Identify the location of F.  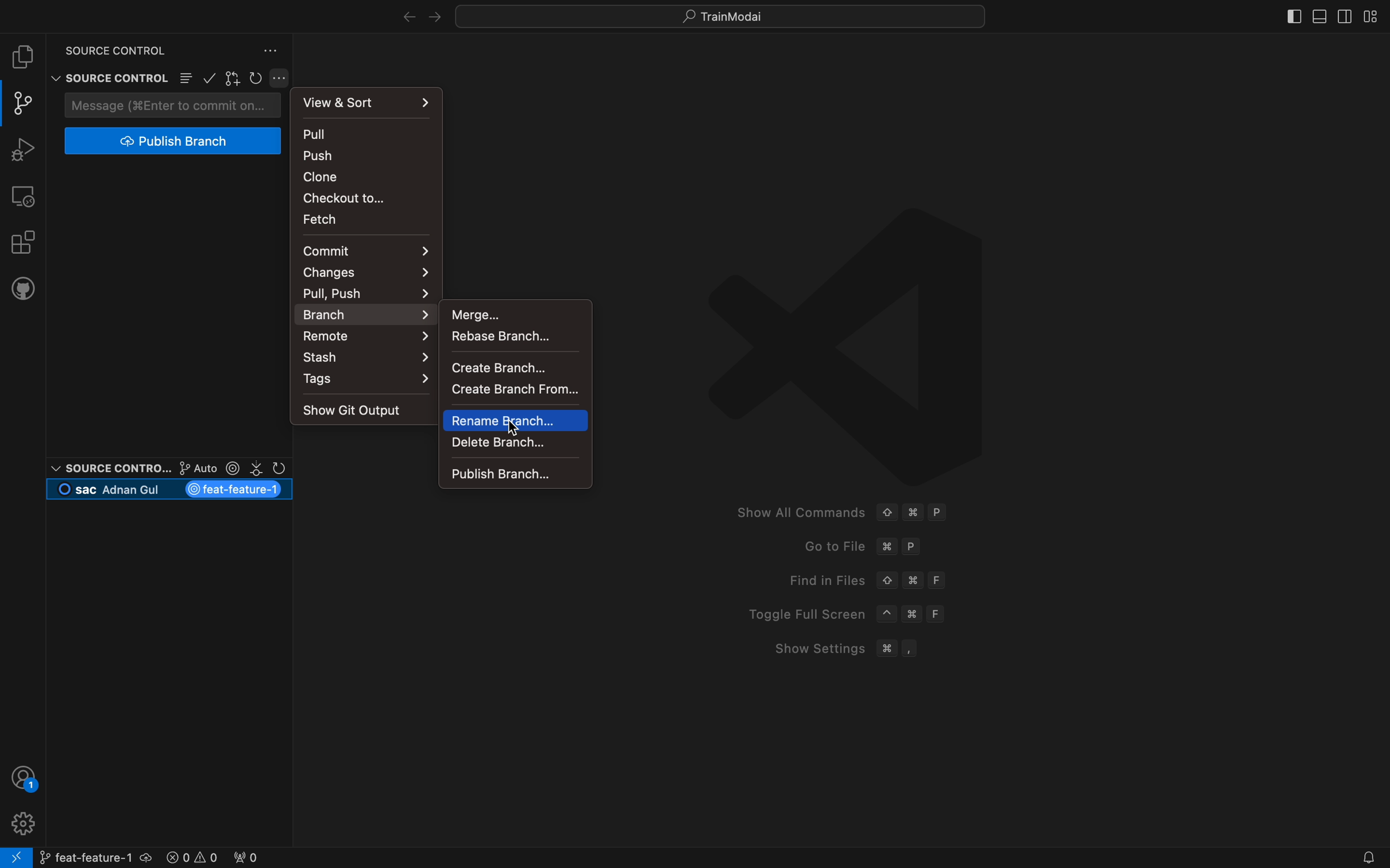
(940, 580).